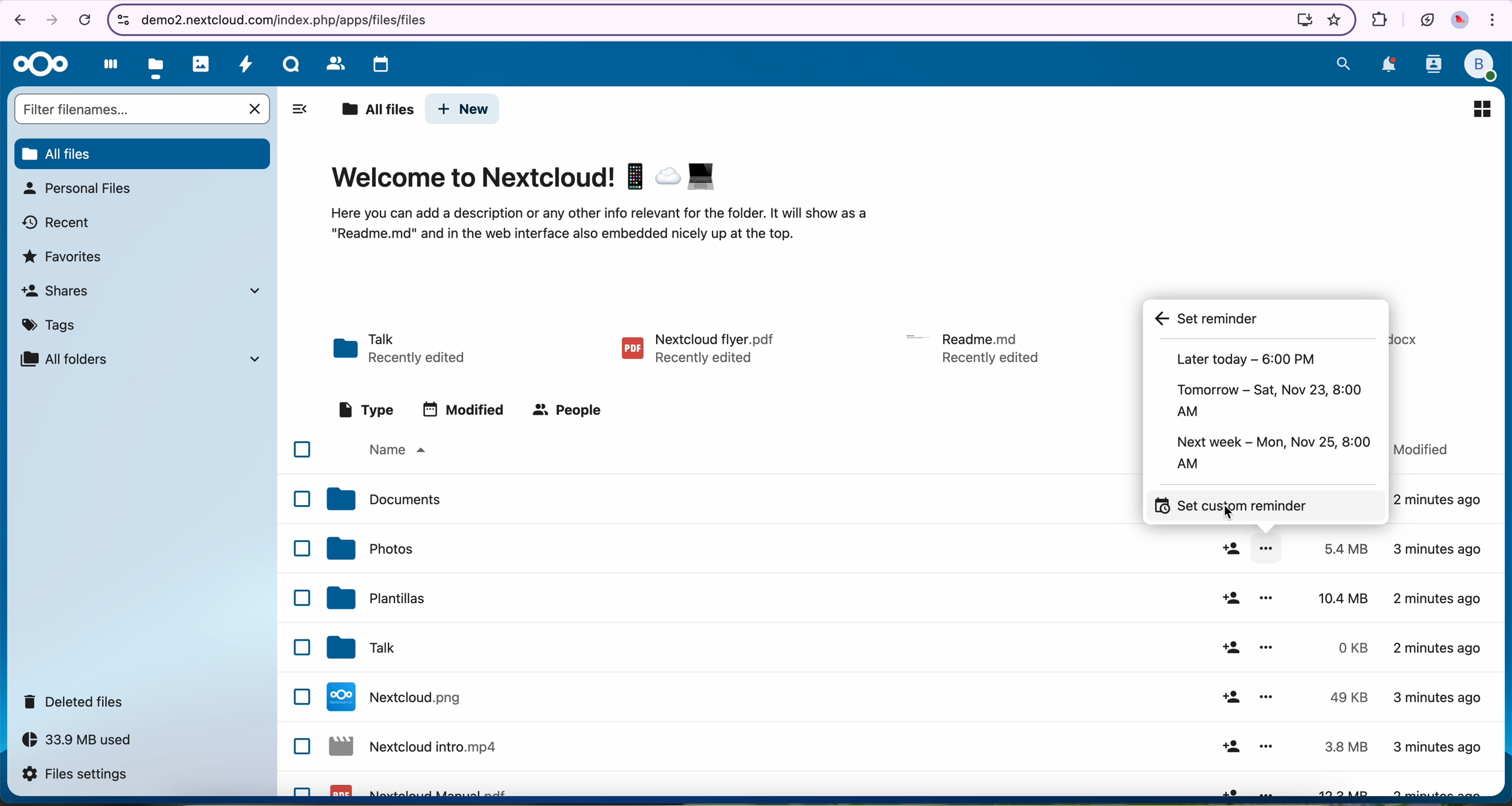  I want to click on share, so click(1227, 550).